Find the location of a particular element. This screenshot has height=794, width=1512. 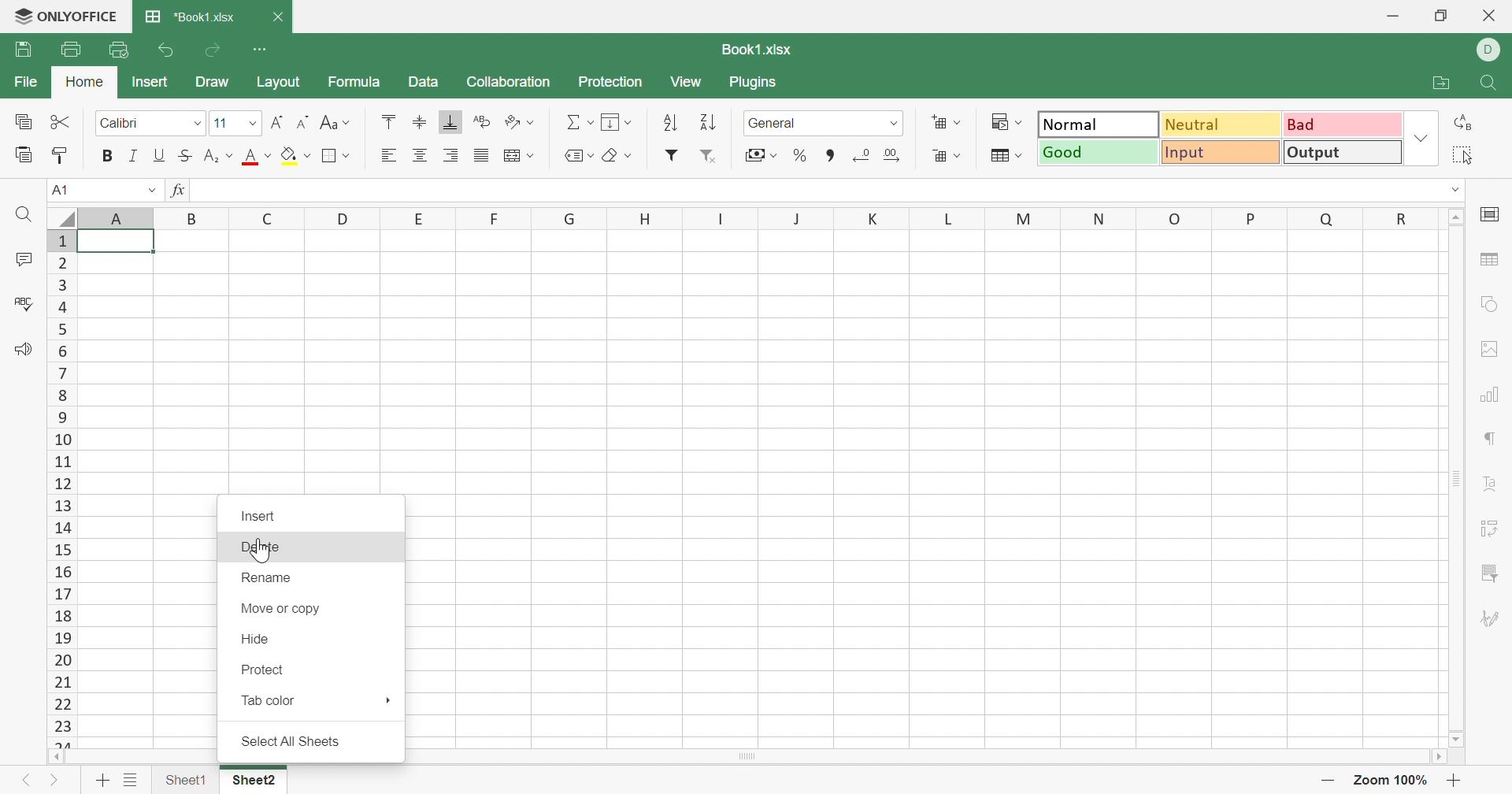

Drop own is located at coordinates (591, 155).